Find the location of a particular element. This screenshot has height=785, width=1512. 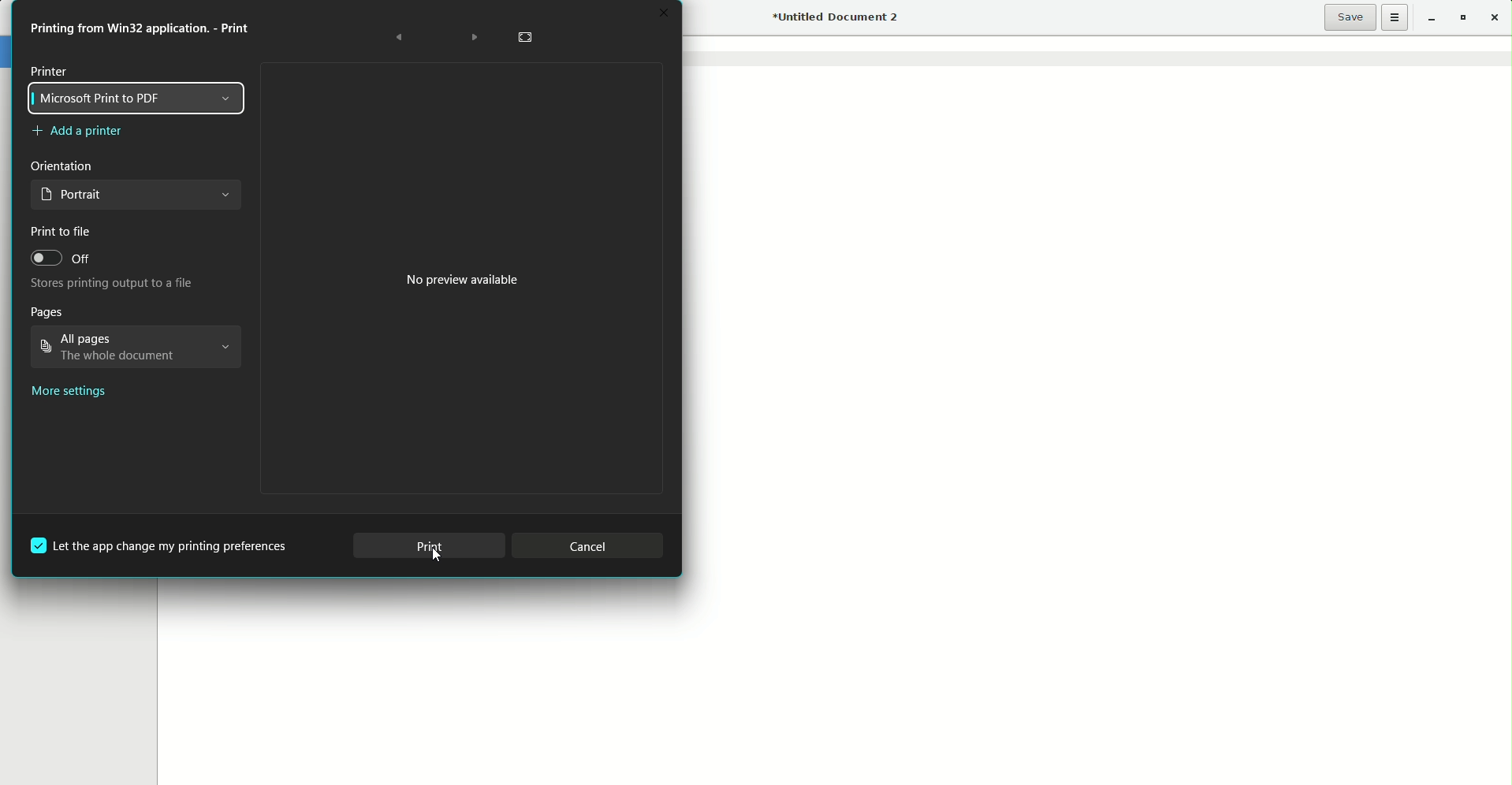

Print text is located at coordinates (146, 29).